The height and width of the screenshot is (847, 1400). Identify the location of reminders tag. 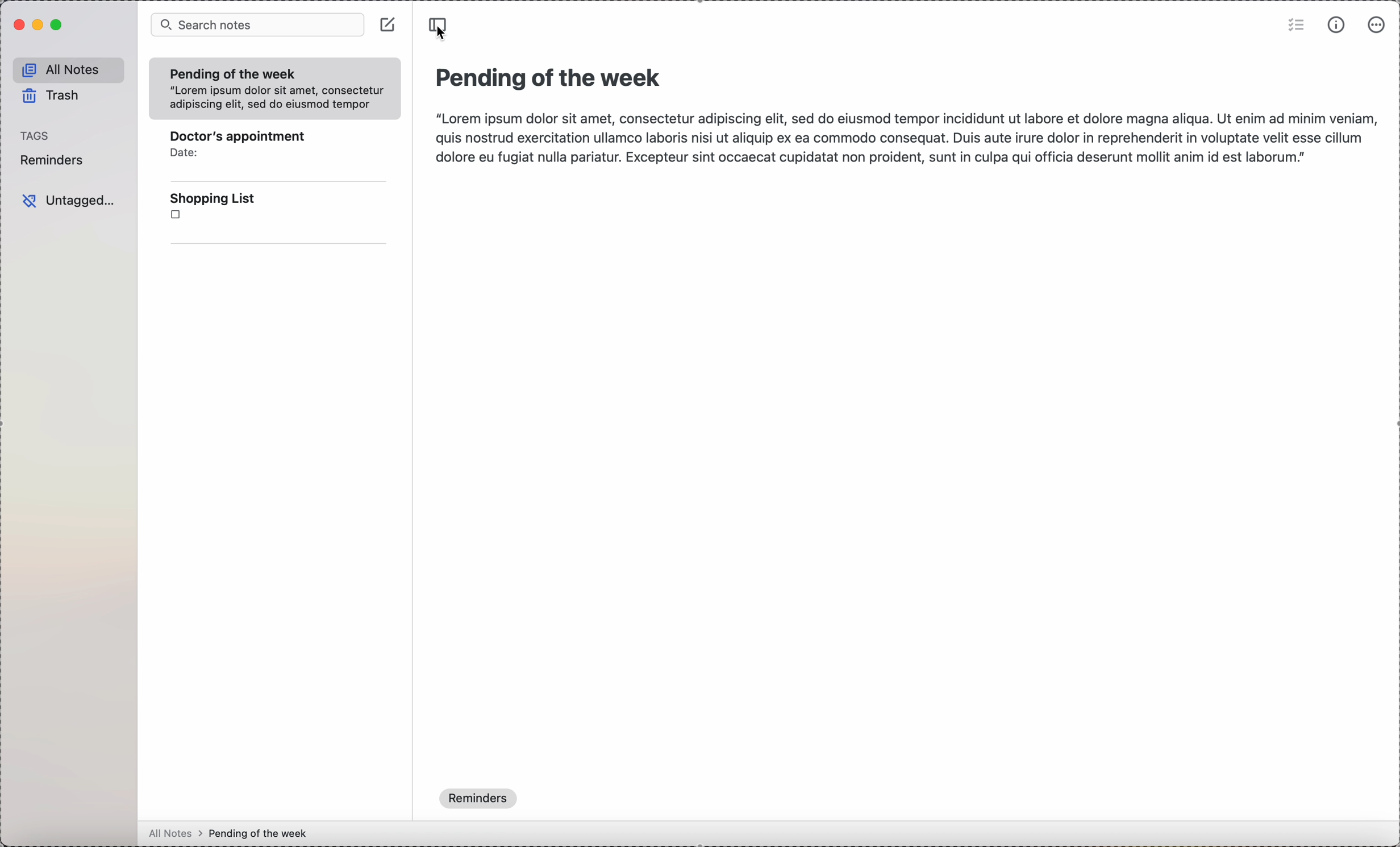
(52, 159).